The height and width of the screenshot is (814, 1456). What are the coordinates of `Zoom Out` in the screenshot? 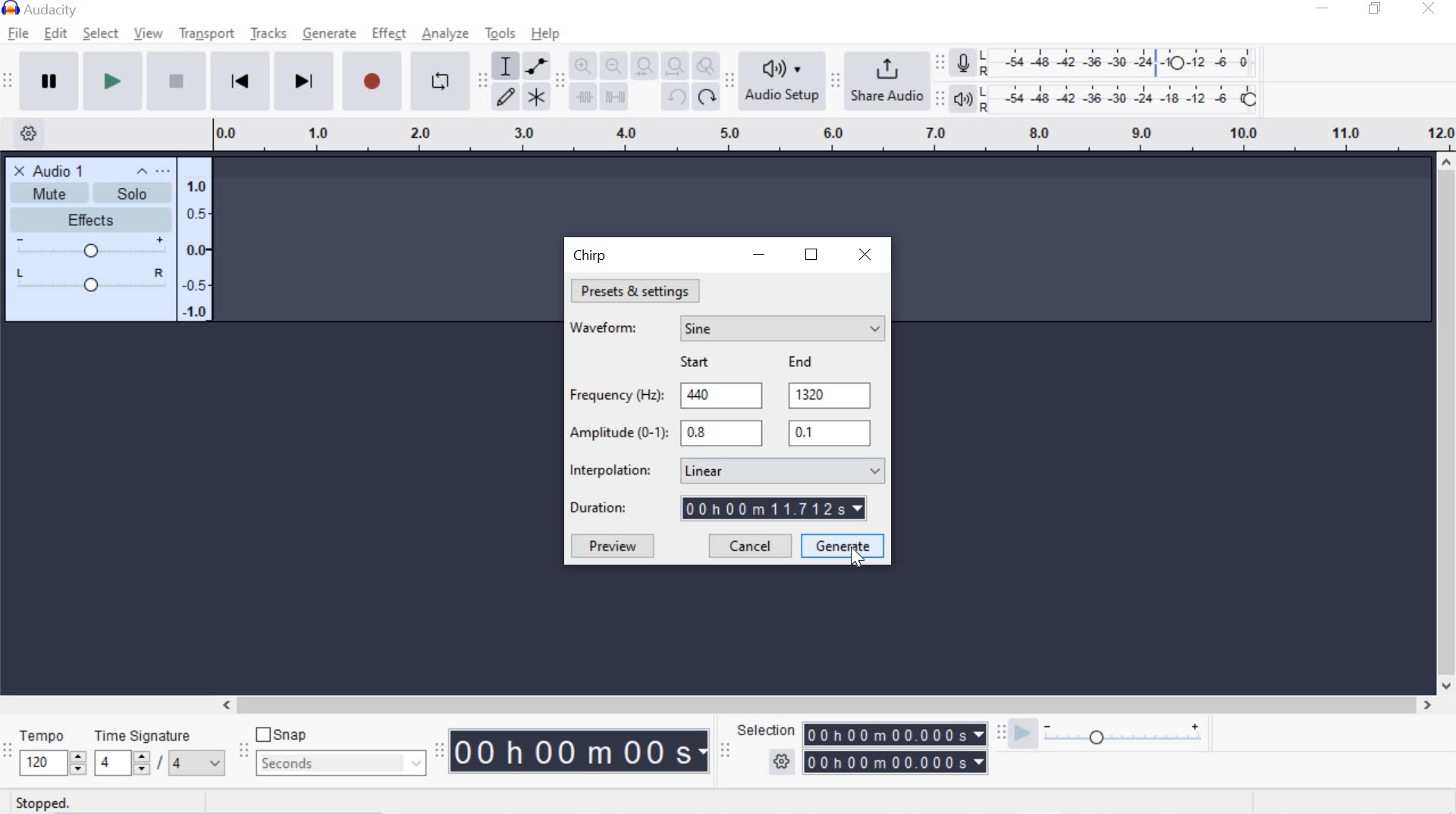 It's located at (613, 67).